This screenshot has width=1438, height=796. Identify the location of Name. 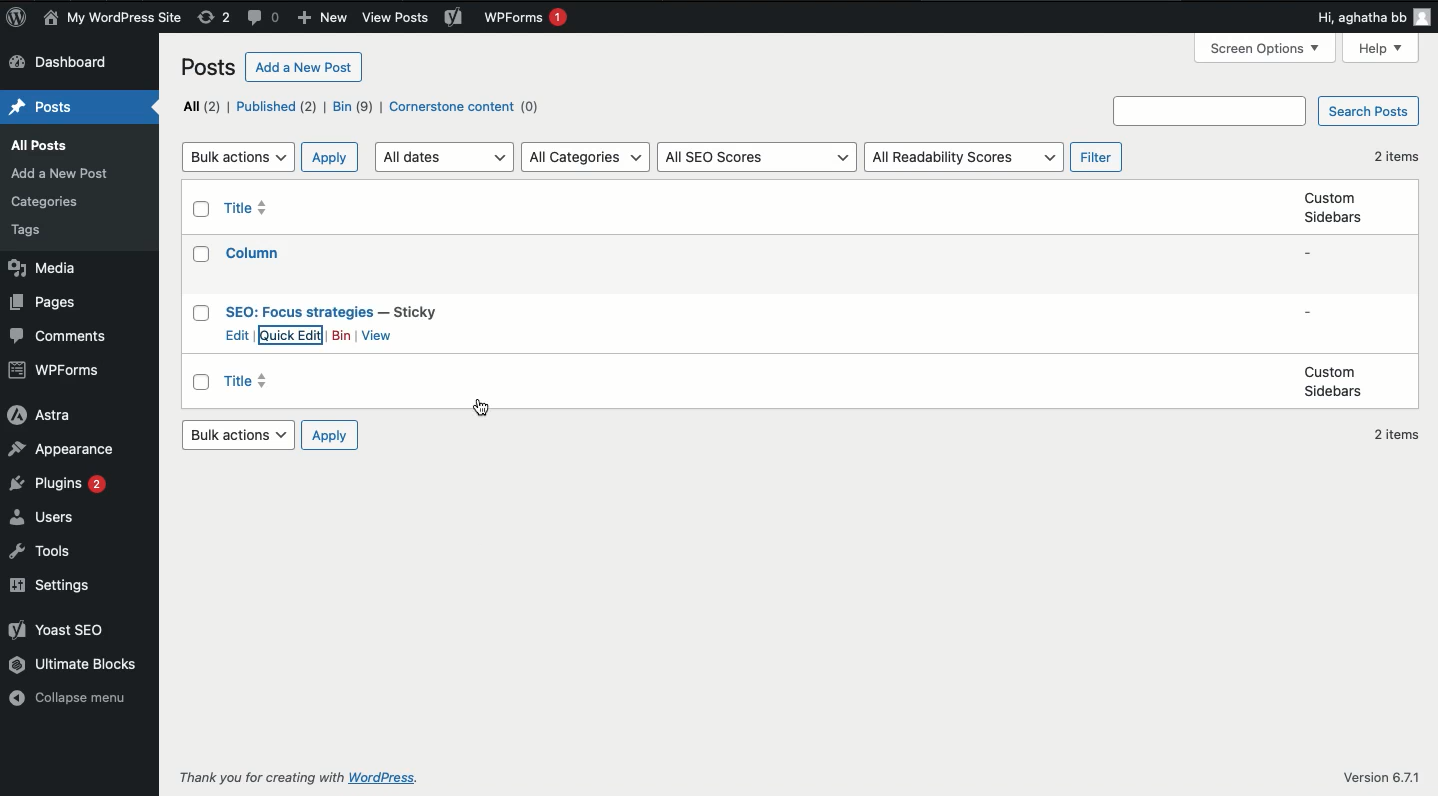
(115, 19).